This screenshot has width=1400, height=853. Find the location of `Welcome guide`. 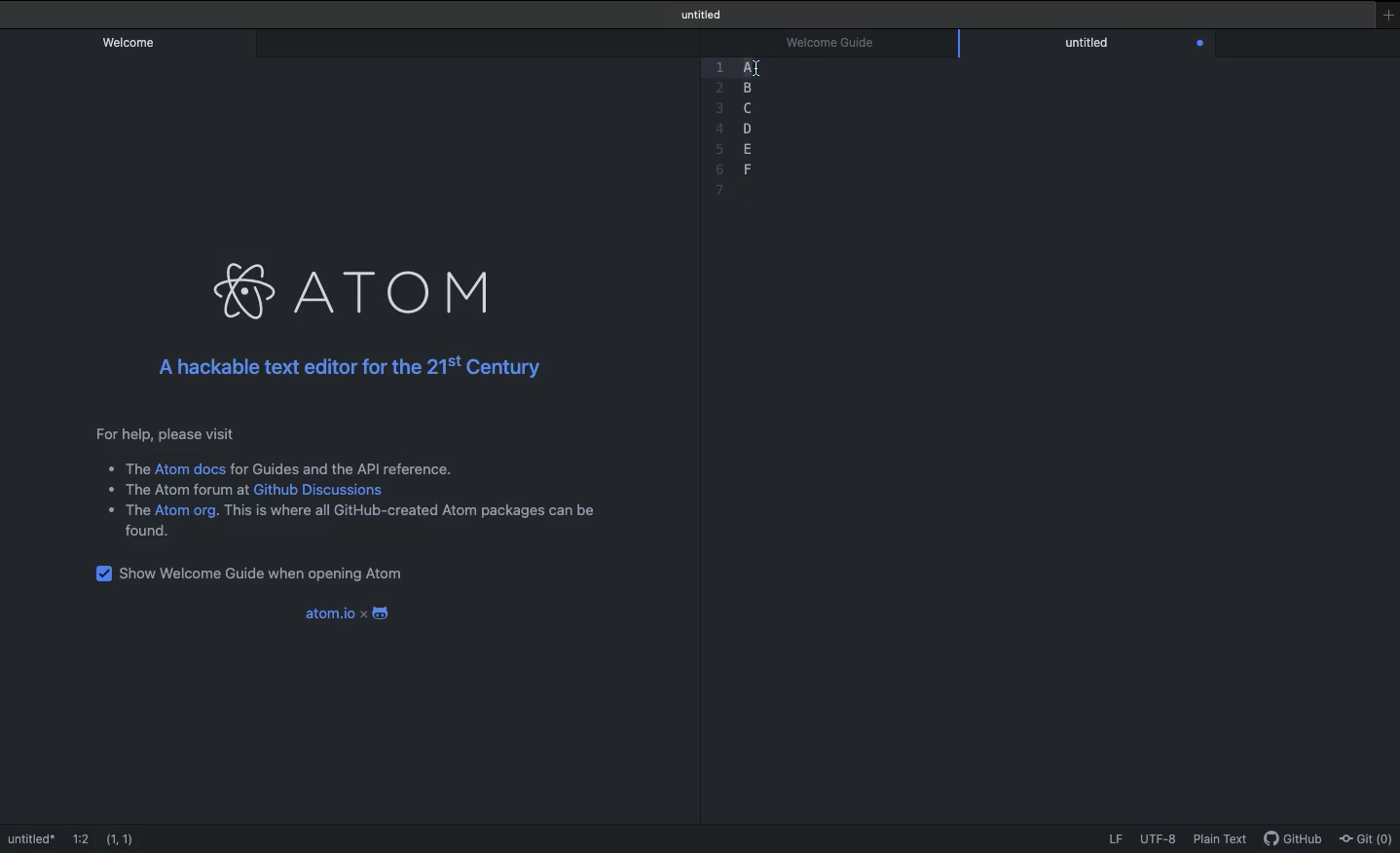

Welcome guide is located at coordinates (704, 15).